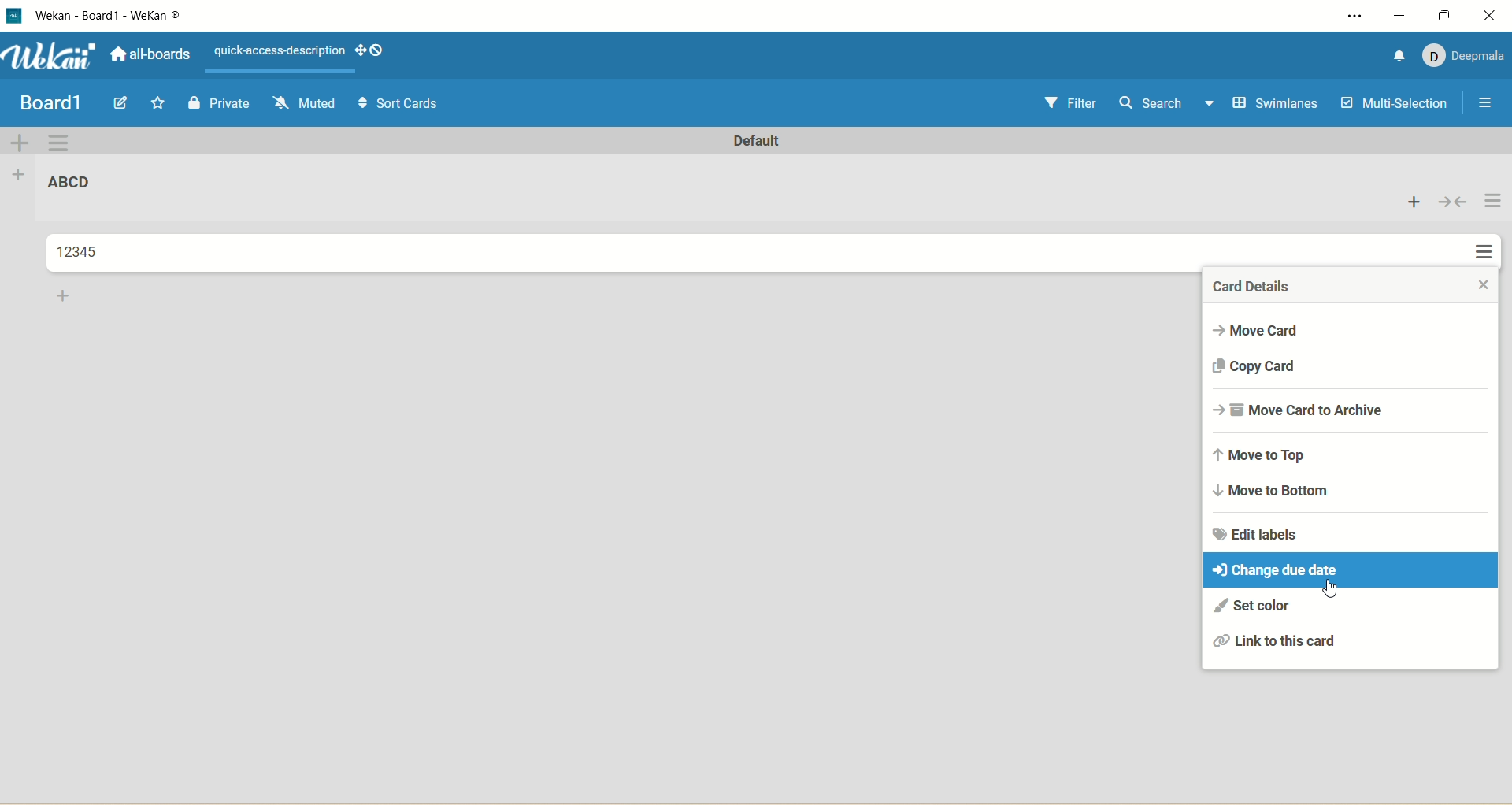 Image resolution: width=1512 pixels, height=805 pixels. Describe the element at coordinates (1490, 228) in the screenshot. I see `actions` at that location.